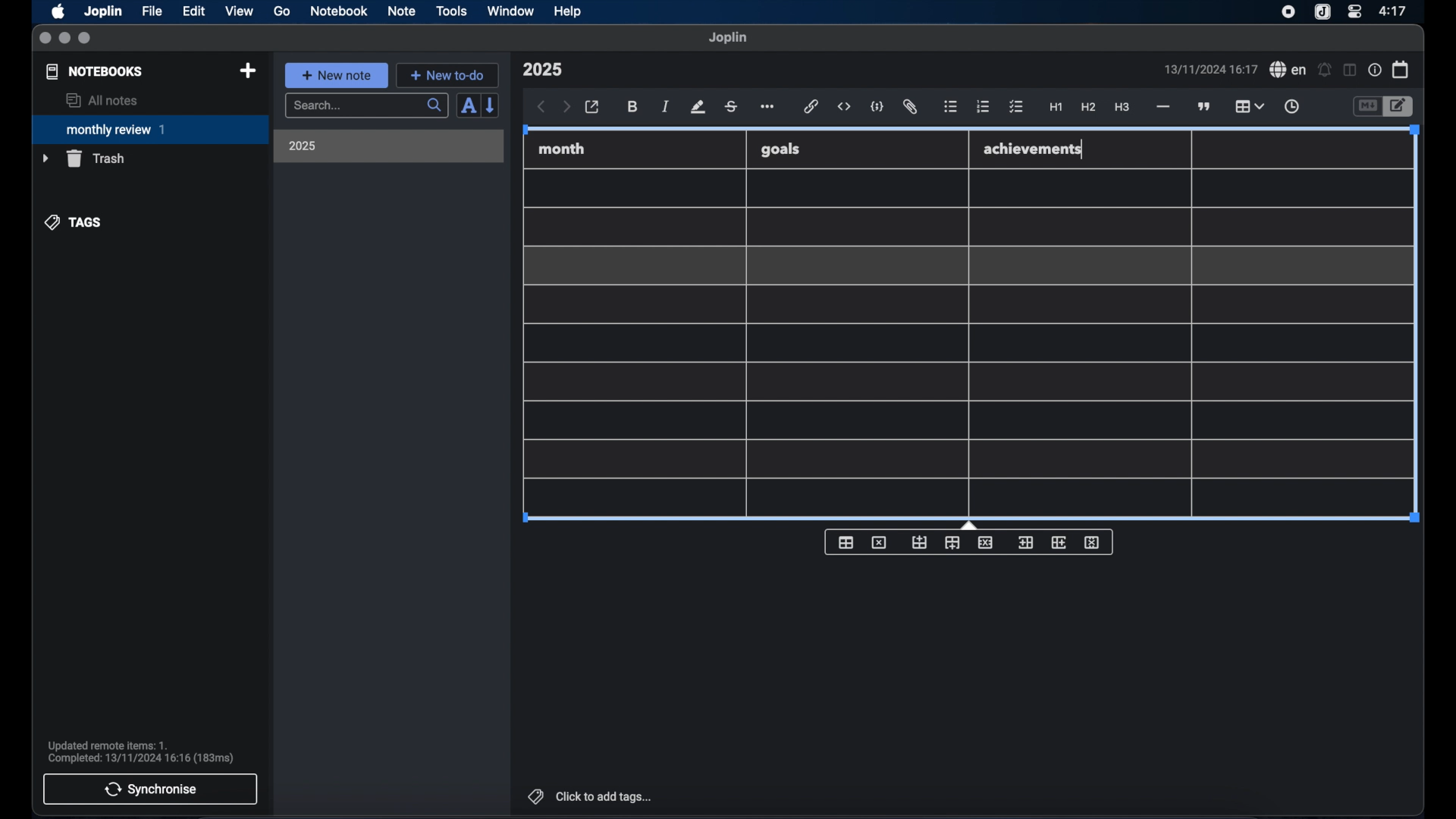 The width and height of the screenshot is (1456, 819). What do you see at coordinates (1034, 149) in the screenshot?
I see `achievements` at bounding box center [1034, 149].